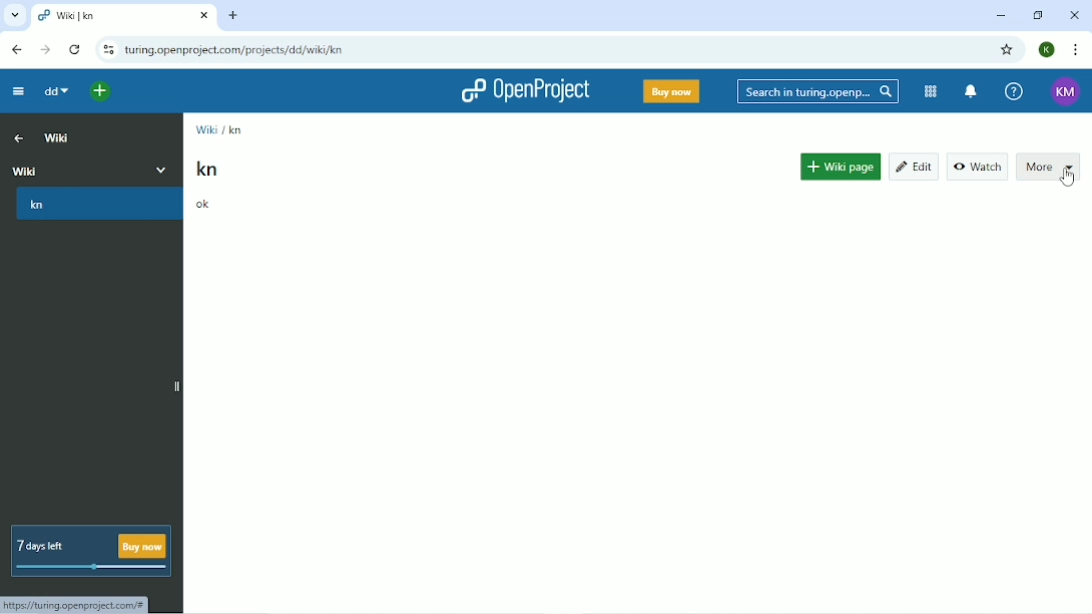 The width and height of the screenshot is (1092, 614). What do you see at coordinates (233, 15) in the screenshot?
I see `New tab` at bounding box center [233, 15].